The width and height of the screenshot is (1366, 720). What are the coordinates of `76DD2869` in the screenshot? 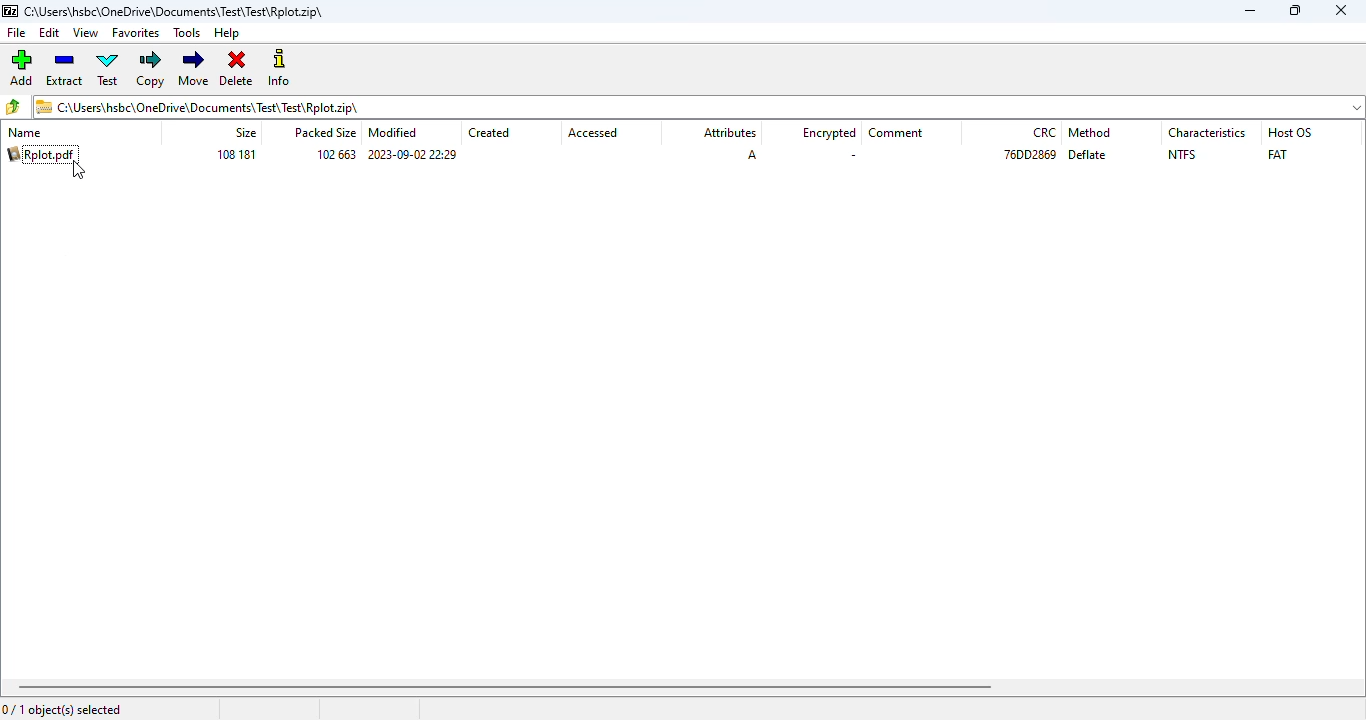 It's located at (1031, 155).